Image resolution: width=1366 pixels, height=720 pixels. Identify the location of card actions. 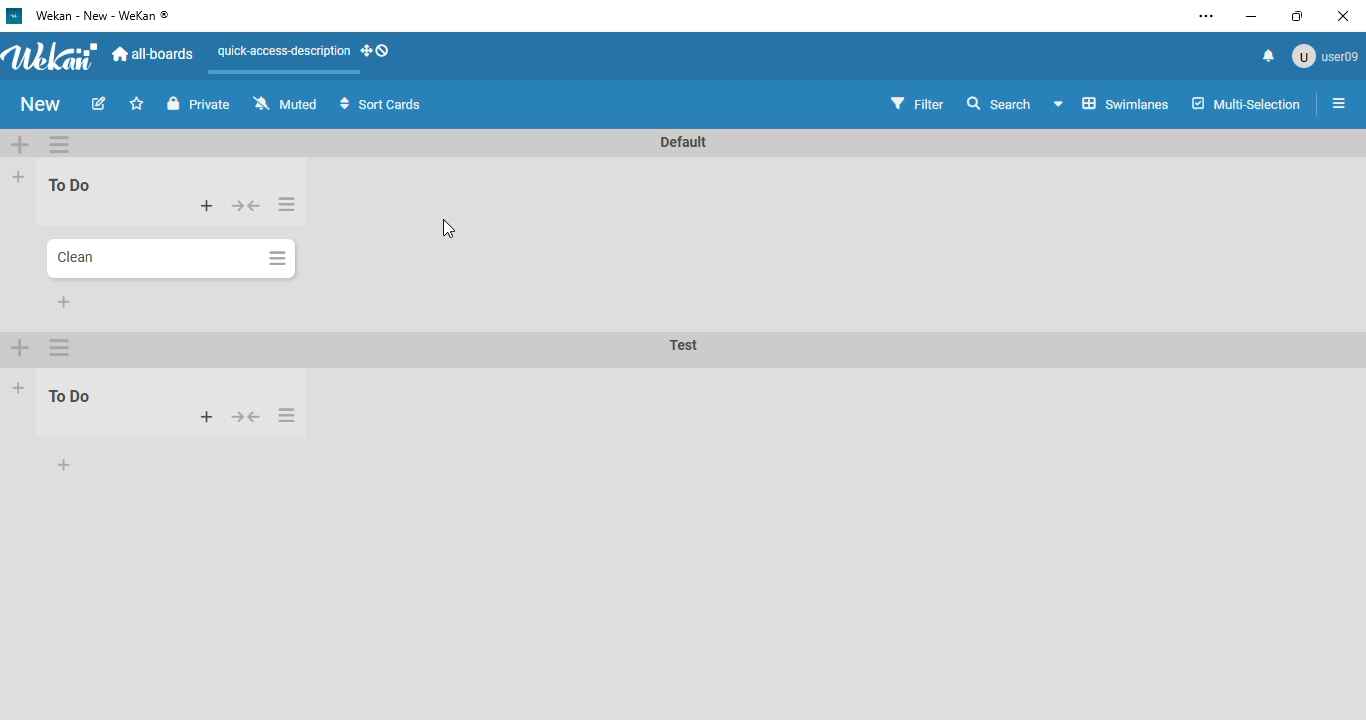
(277, 258).